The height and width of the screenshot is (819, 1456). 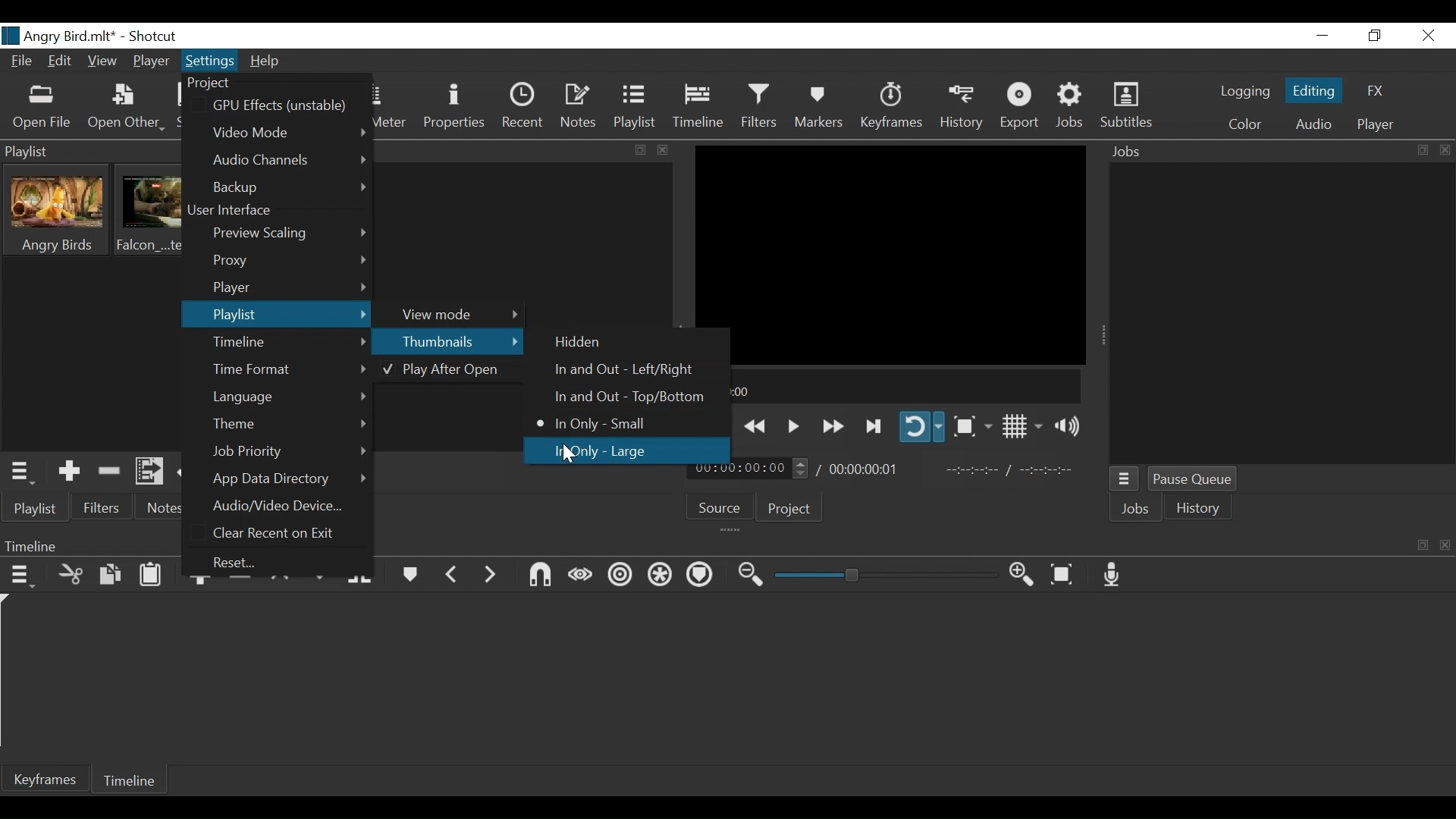 I want to click on Restore, so click(x=1373, y=36).